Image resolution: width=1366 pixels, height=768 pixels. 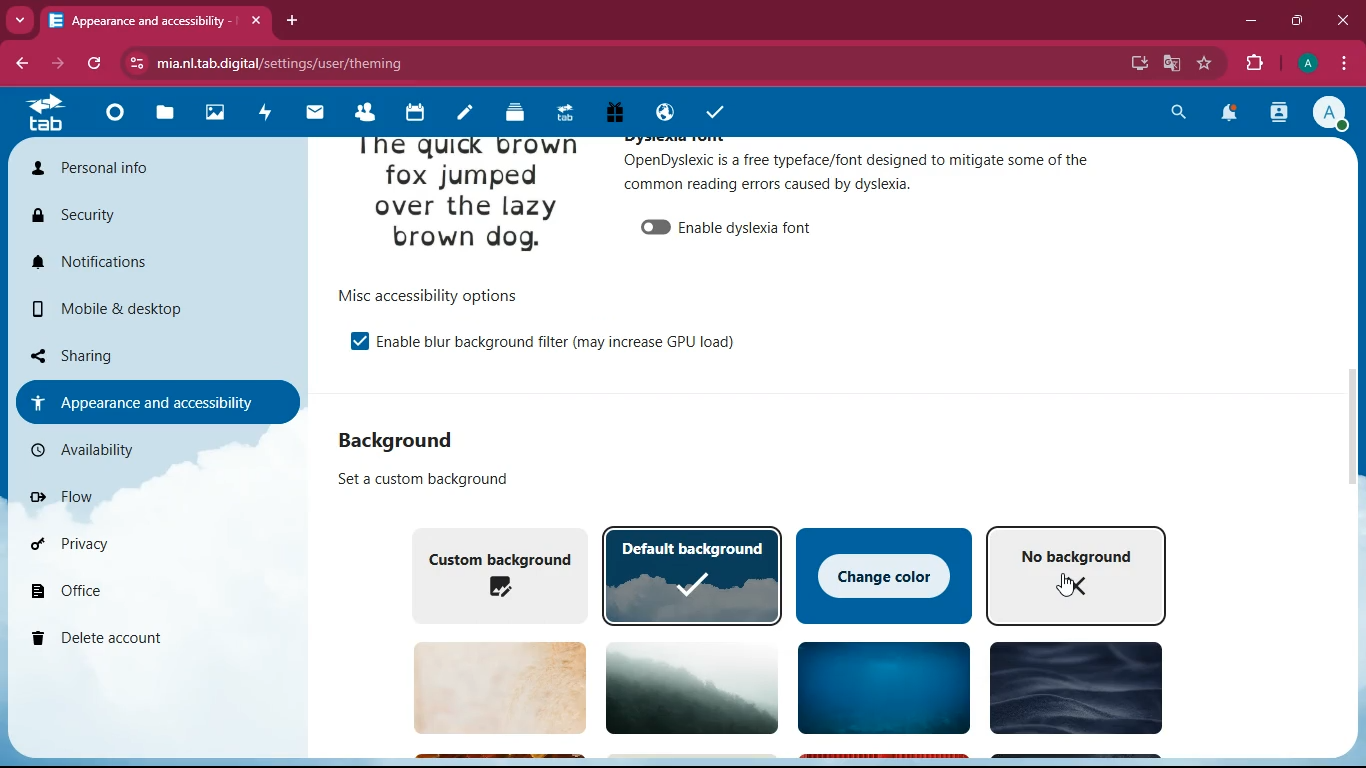 What do you see at coordinates (145, 639) in the screenshot?
I see `delete` at bounding box center [145, 639].